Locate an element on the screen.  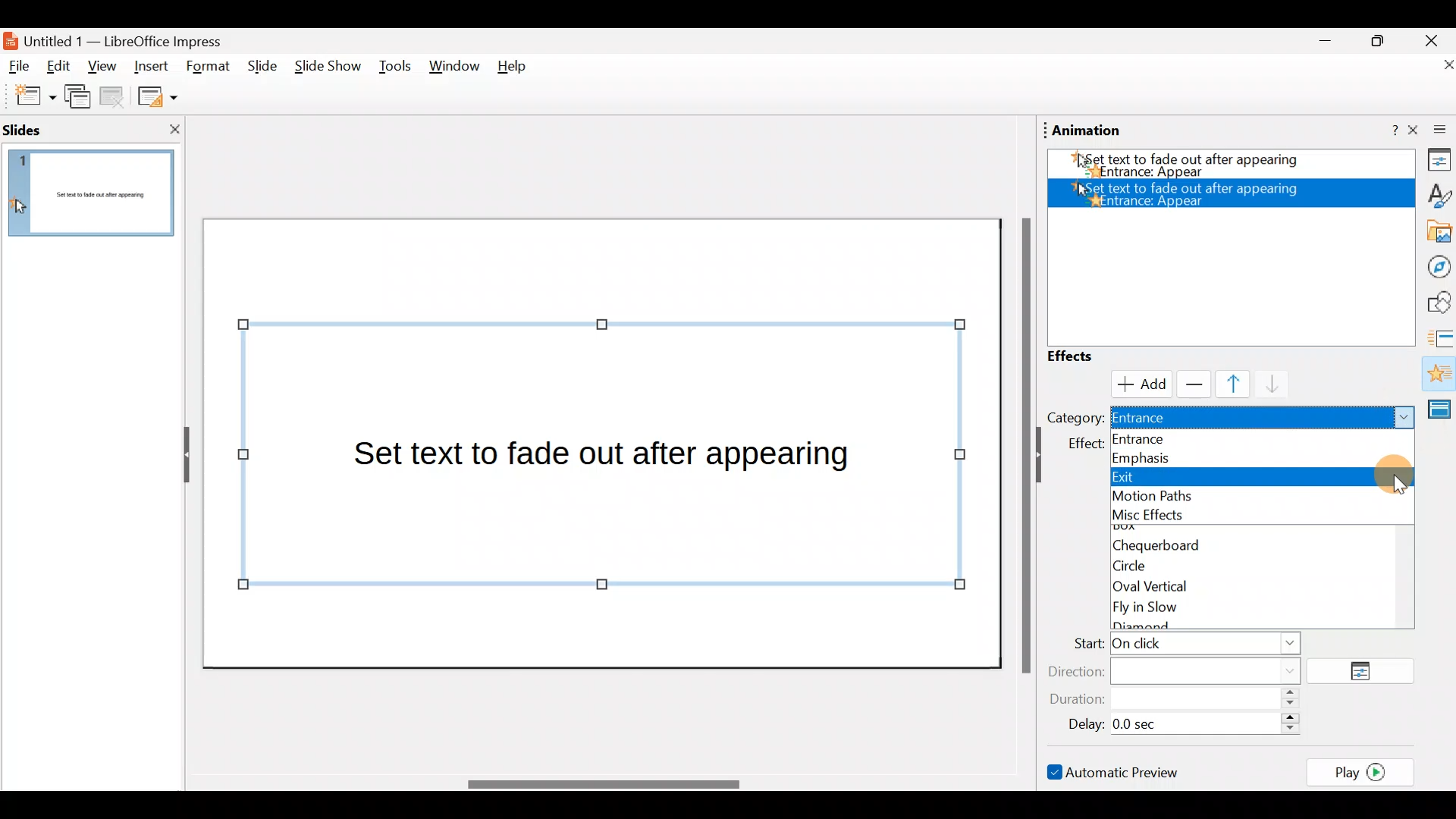
Presentation slide is located at coordinates (605, 442).